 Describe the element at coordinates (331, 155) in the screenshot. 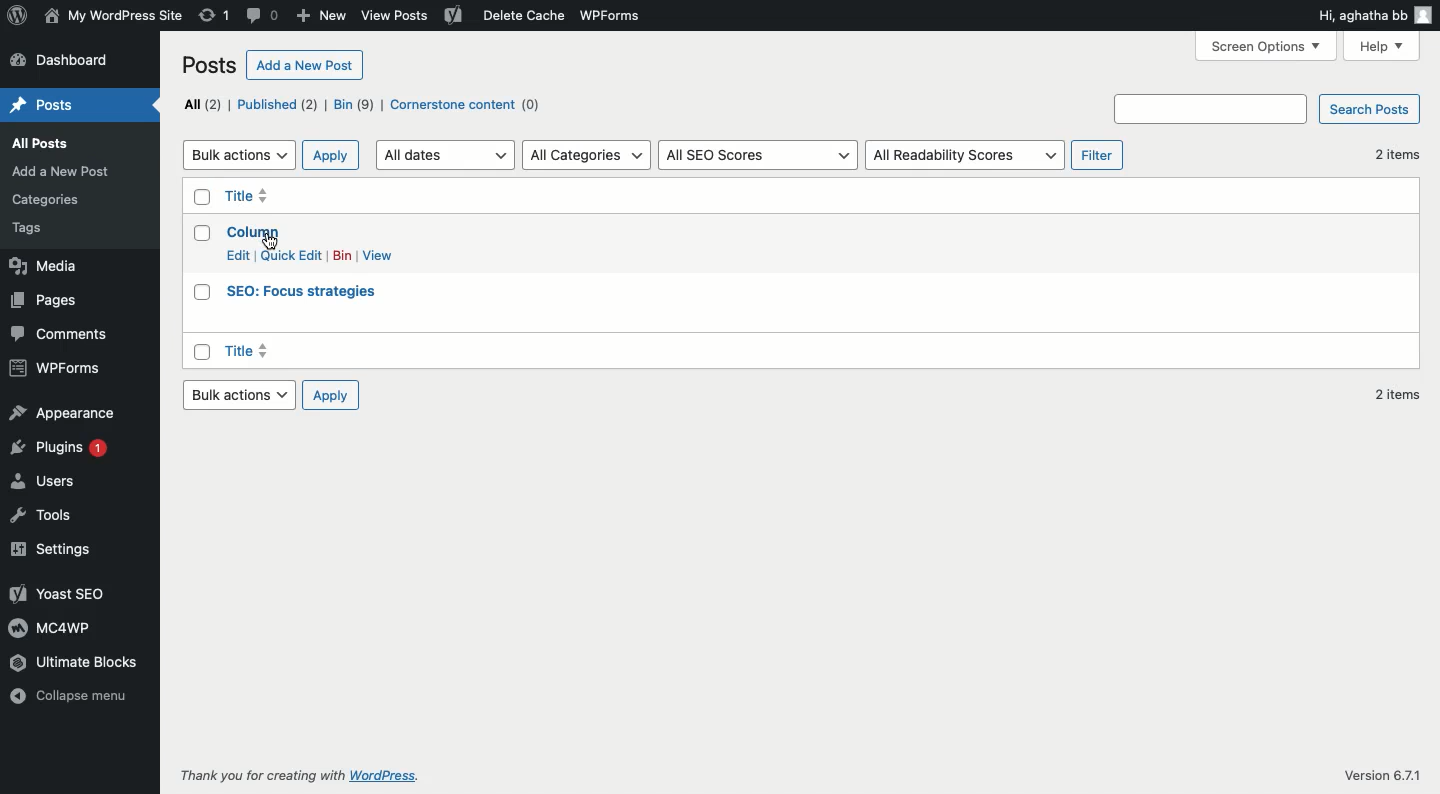

I see `Apply` at that location.